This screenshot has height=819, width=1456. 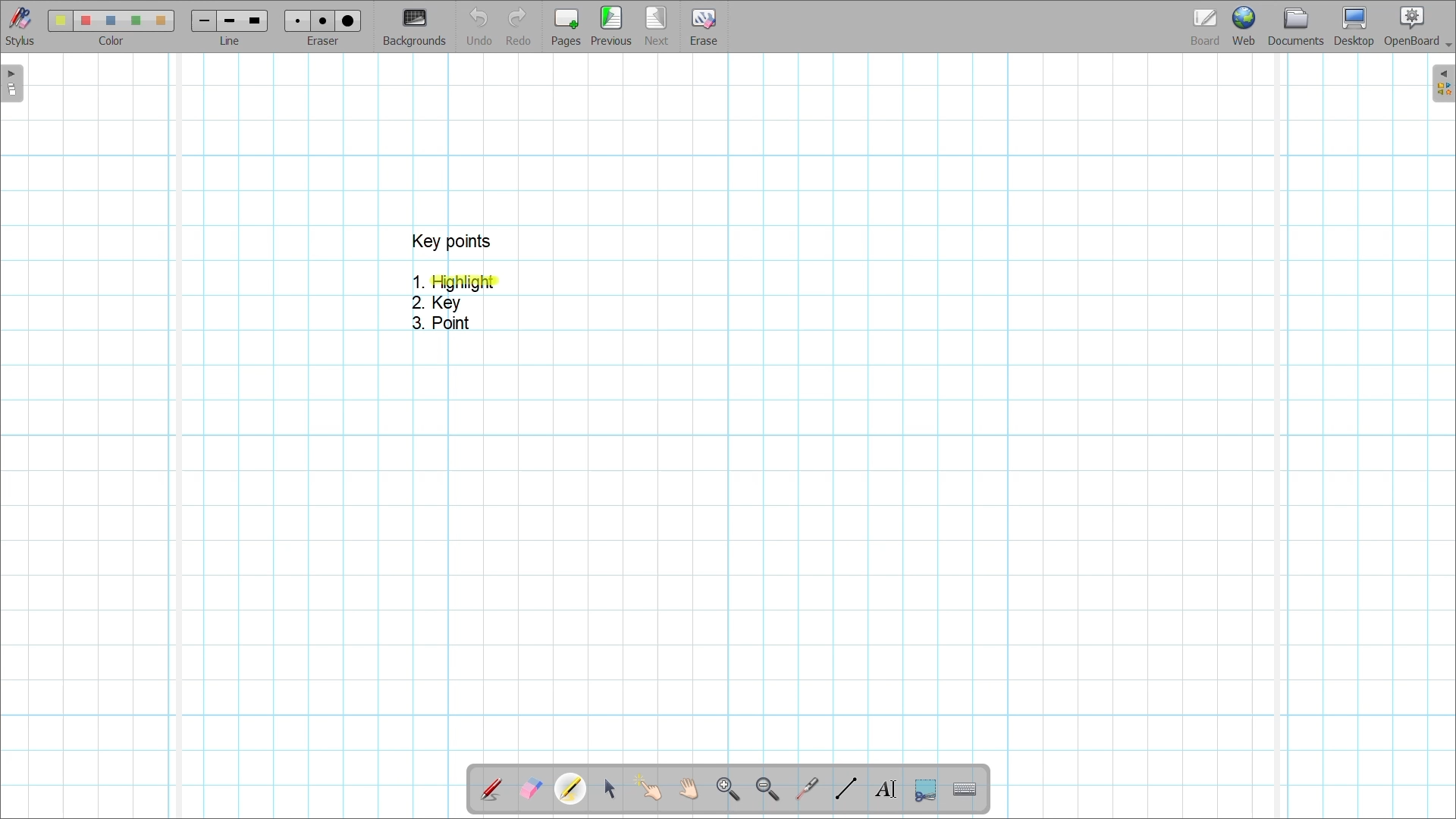 I want to click on eraser, so click(x=326, y=42).